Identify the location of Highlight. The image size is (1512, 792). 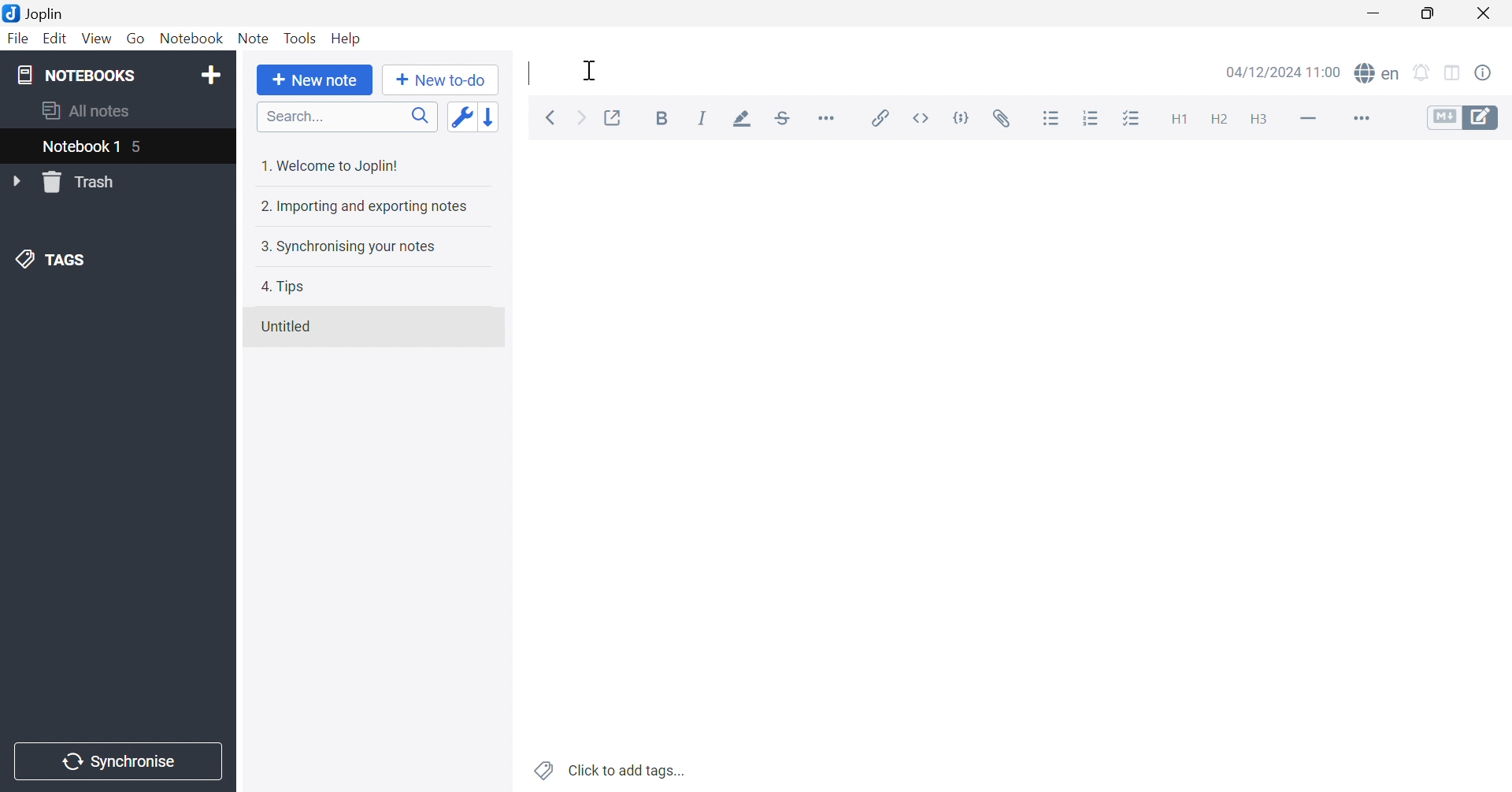
(744, 120).